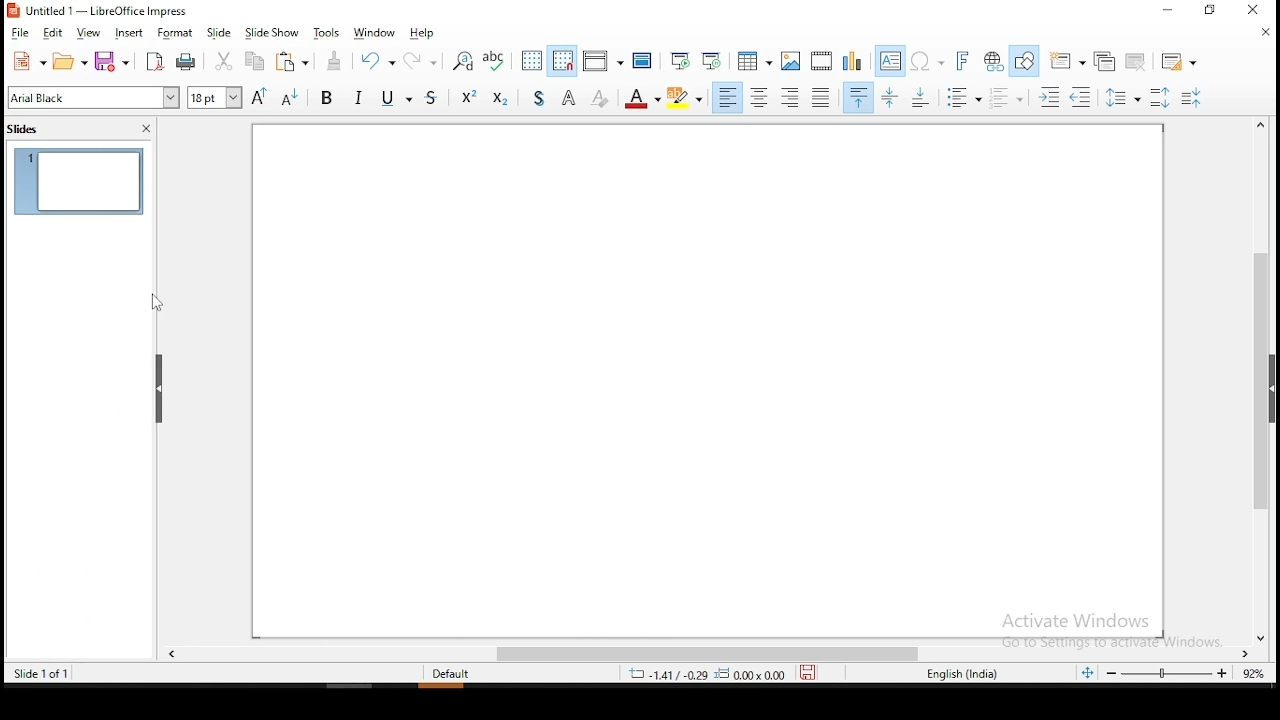 Image resolution: width=1280 pixels, height=720 pixels. I want to click on decrease paragraph spacing, so click(1008, 98).